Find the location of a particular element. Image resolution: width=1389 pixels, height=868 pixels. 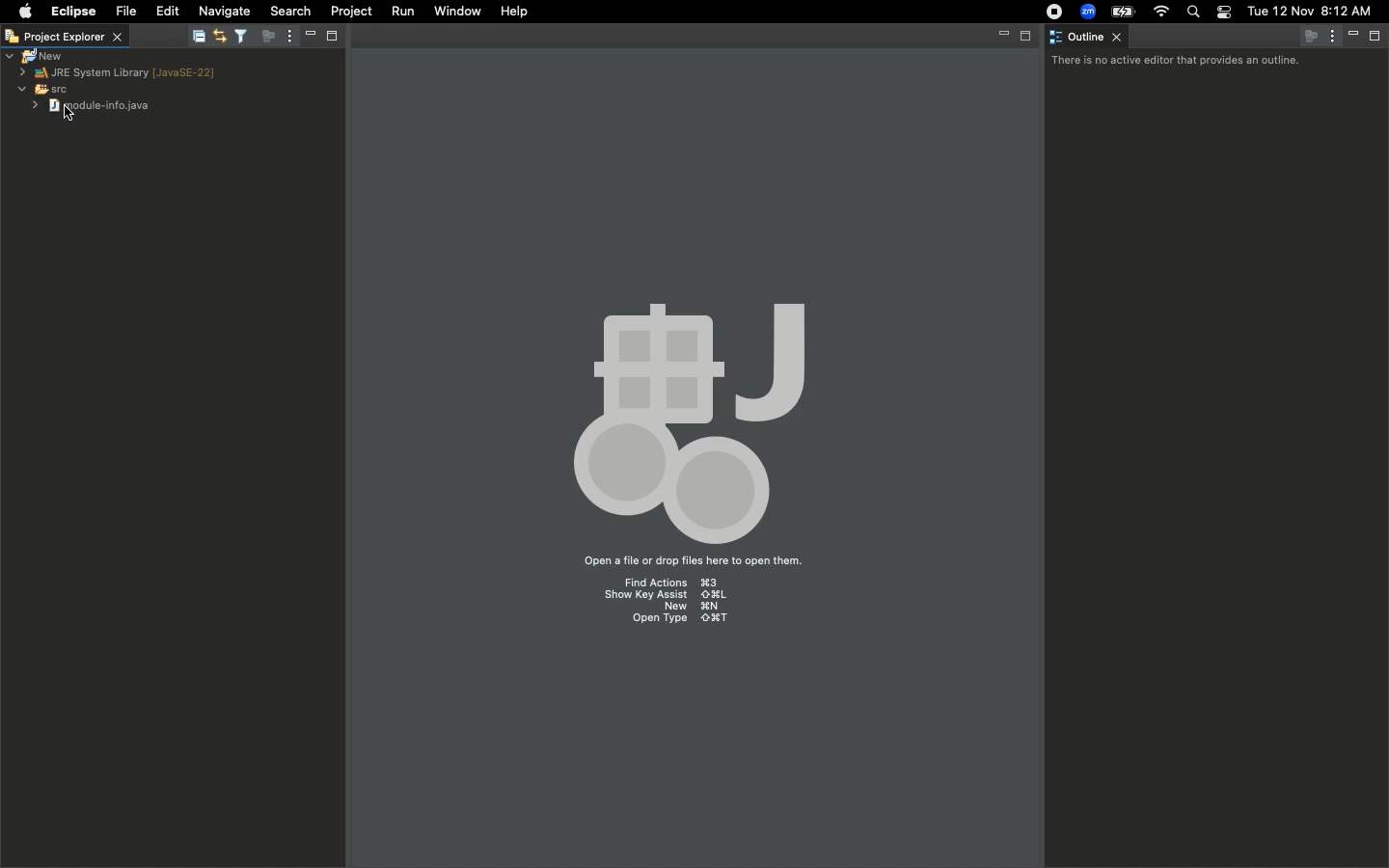

Options is located at coordinates (286, 38).